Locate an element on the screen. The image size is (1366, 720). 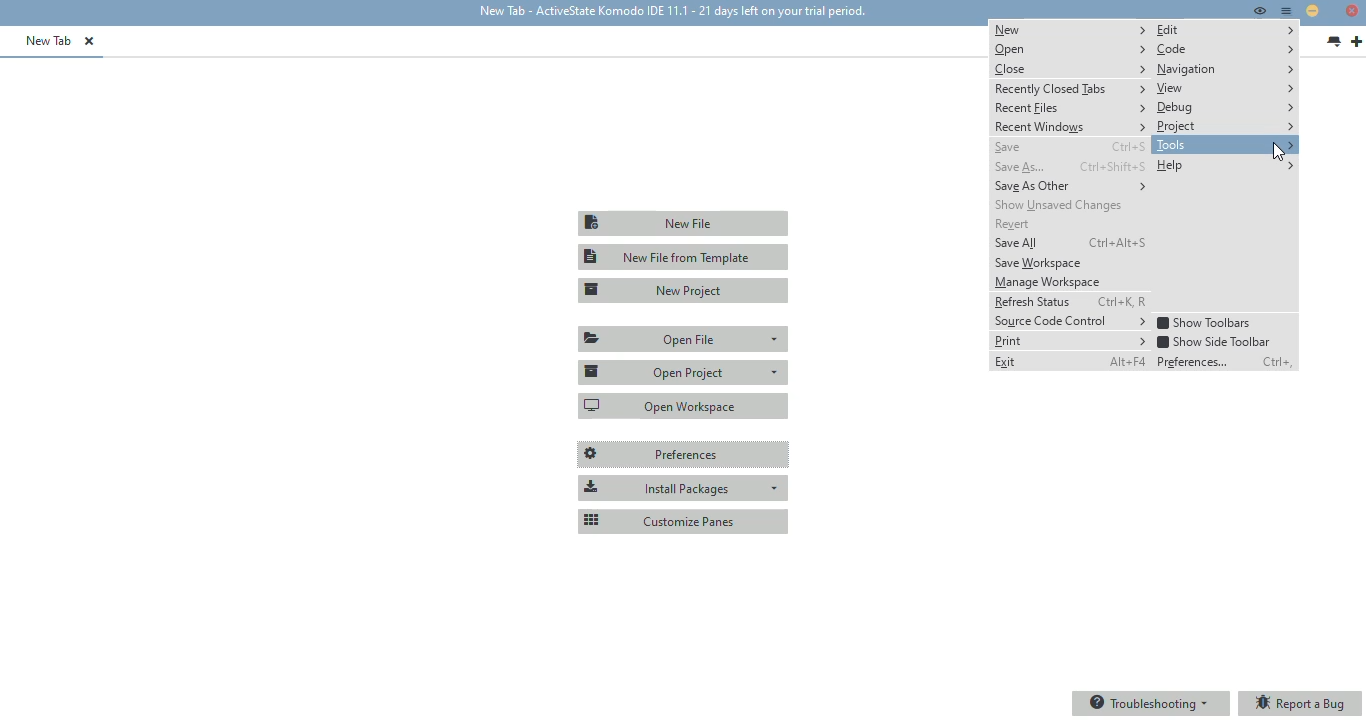
cursor is located at coordinates (1279, 153).